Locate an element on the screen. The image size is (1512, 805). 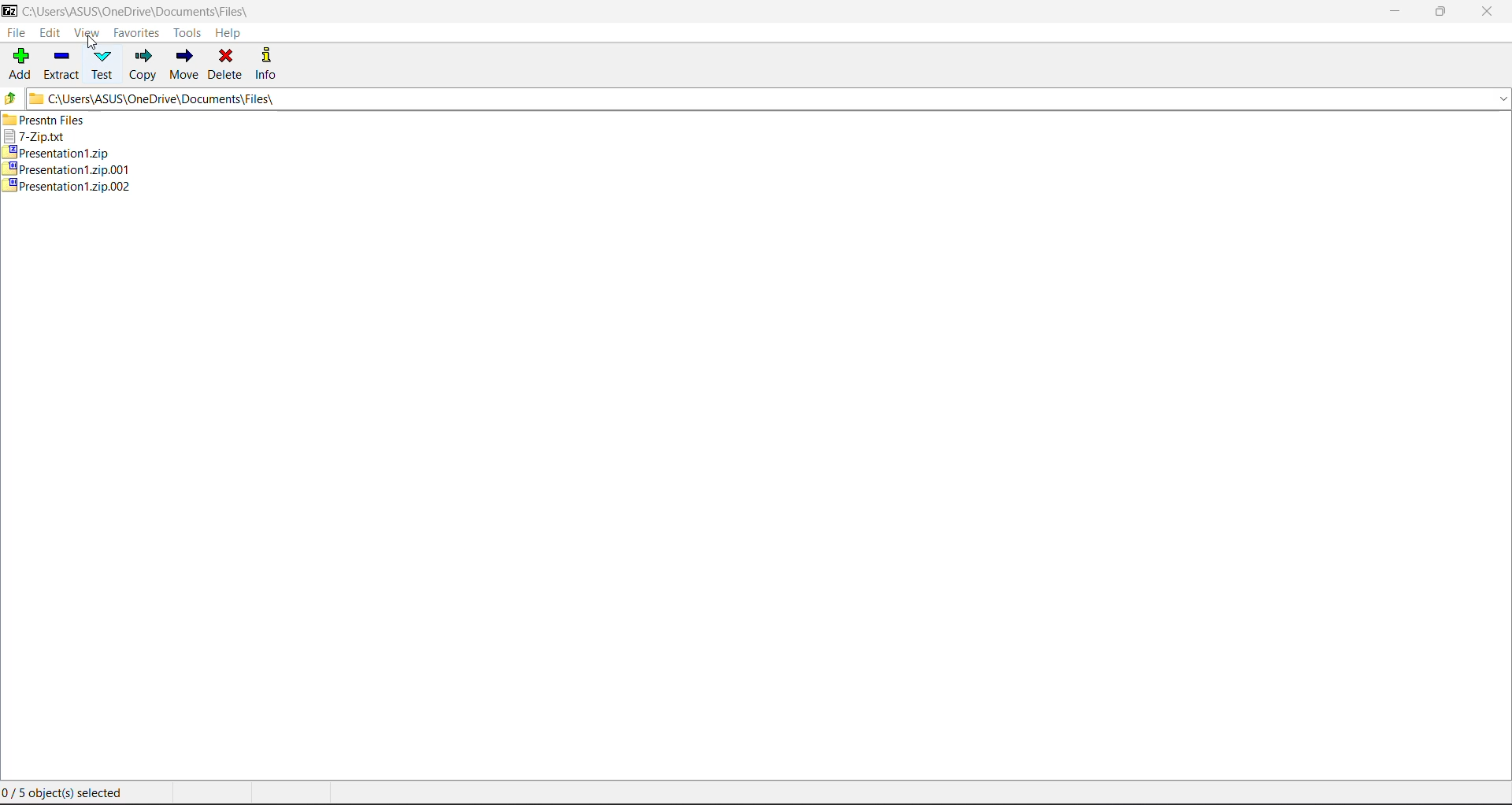
Test is located at coordinates (103, 65).